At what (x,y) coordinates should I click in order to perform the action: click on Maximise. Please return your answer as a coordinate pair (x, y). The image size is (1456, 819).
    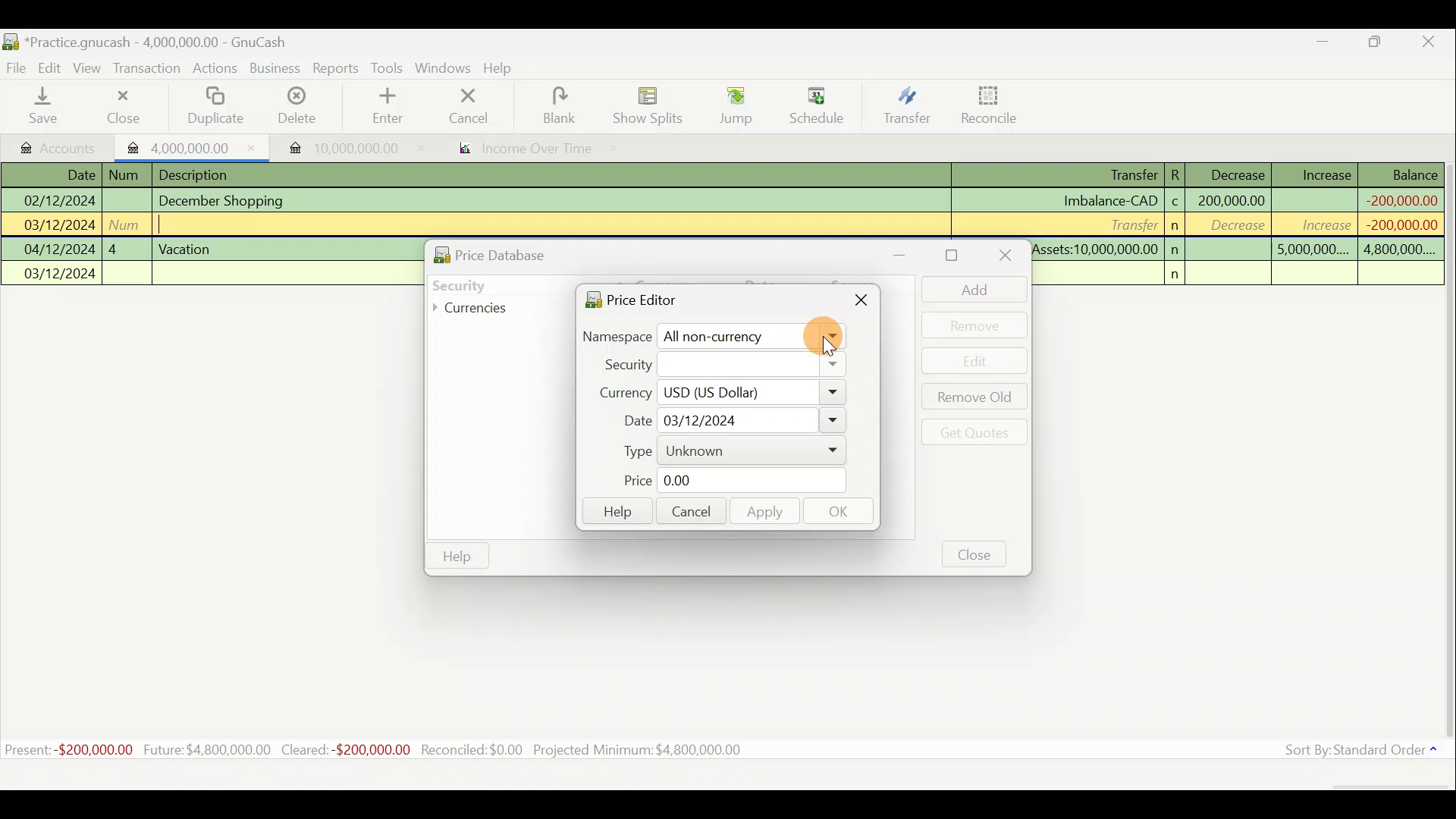
    Looking at the image, I should click on (1384, 44).